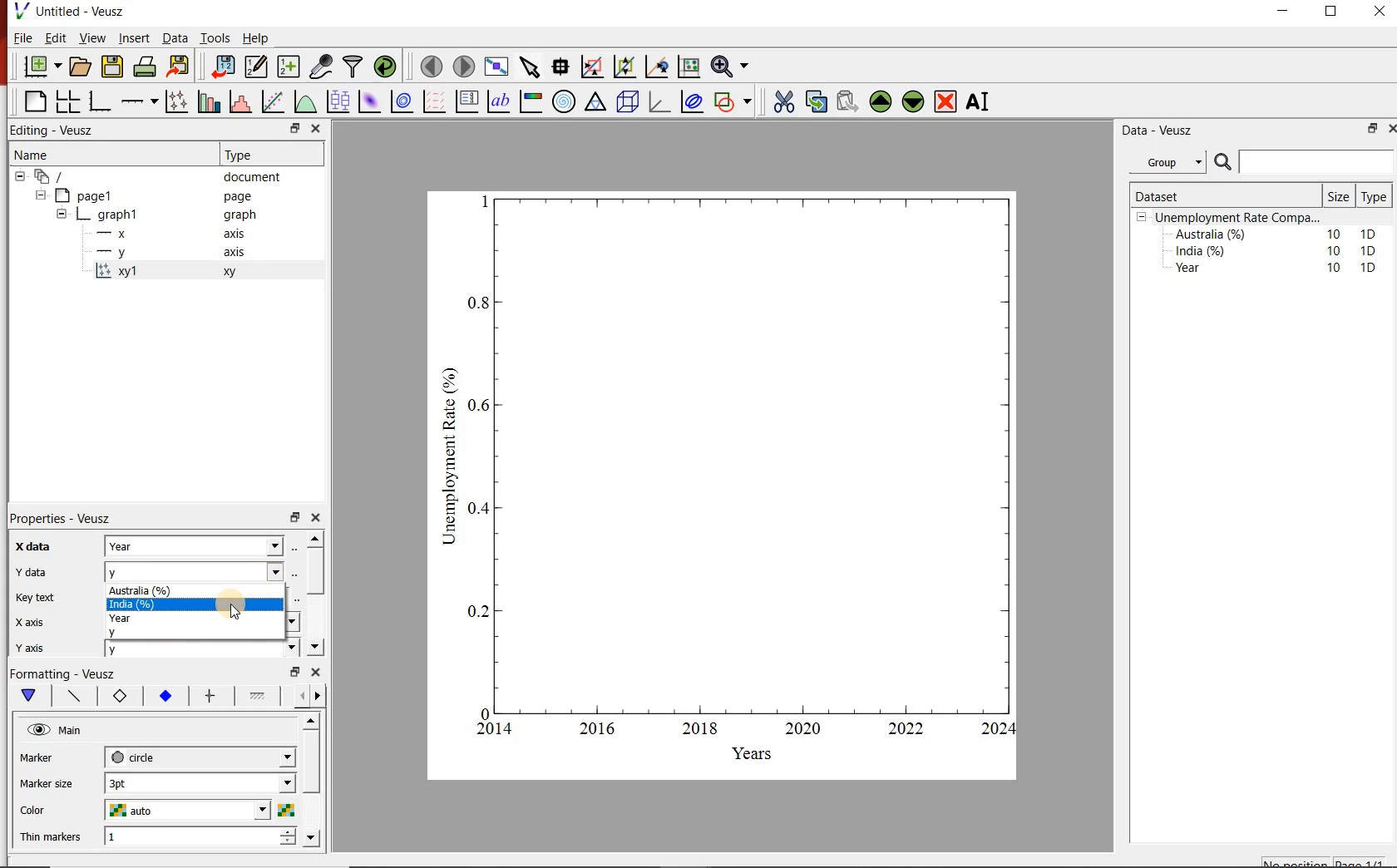 This screenshot has width=1397, height=868. What do you see at coordinates (911, 101) in the screenshot?
I see `move the widgets down` at bounding box center [911, 101].